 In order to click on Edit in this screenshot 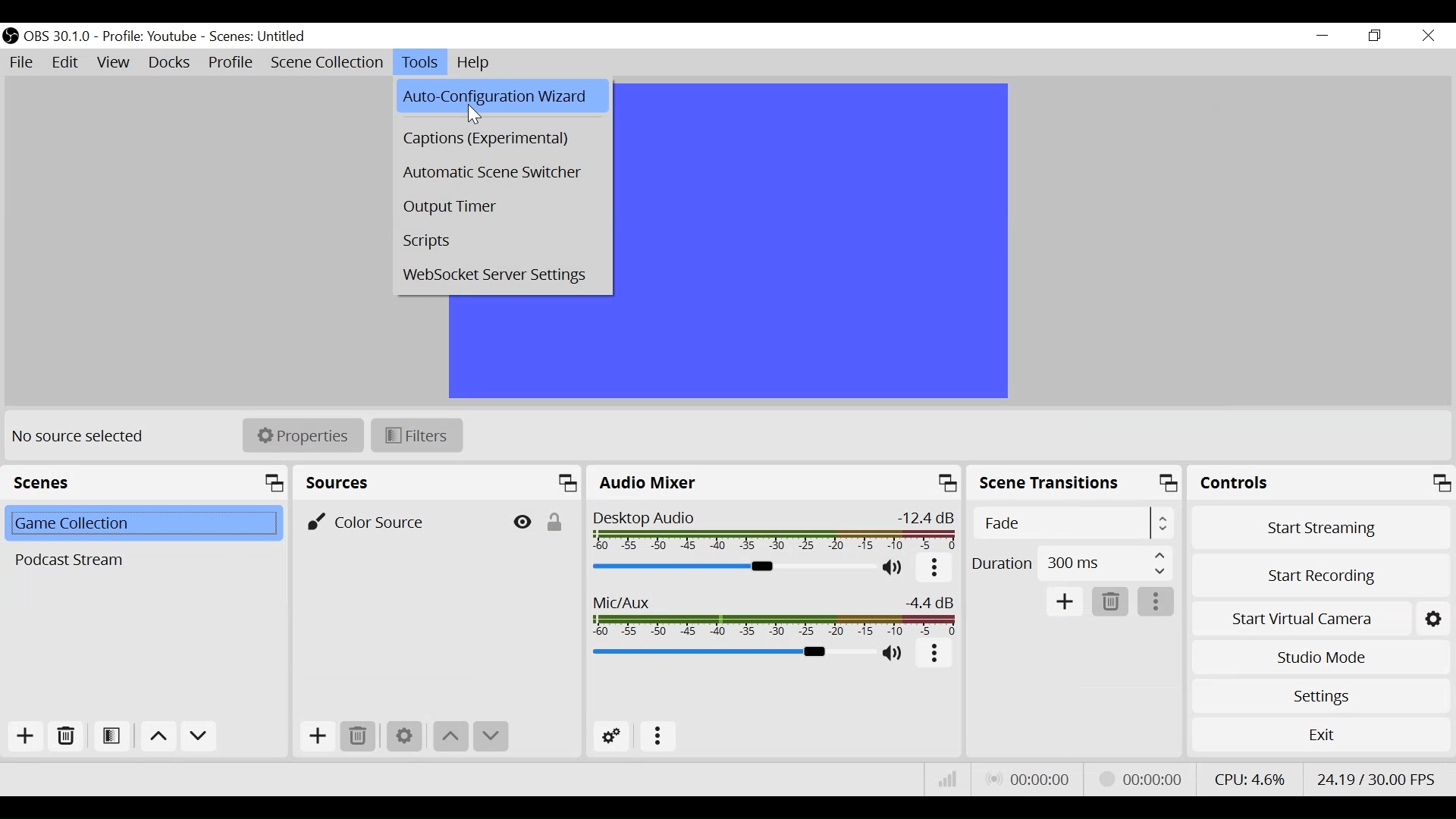, I will do `click(67, 64)`.